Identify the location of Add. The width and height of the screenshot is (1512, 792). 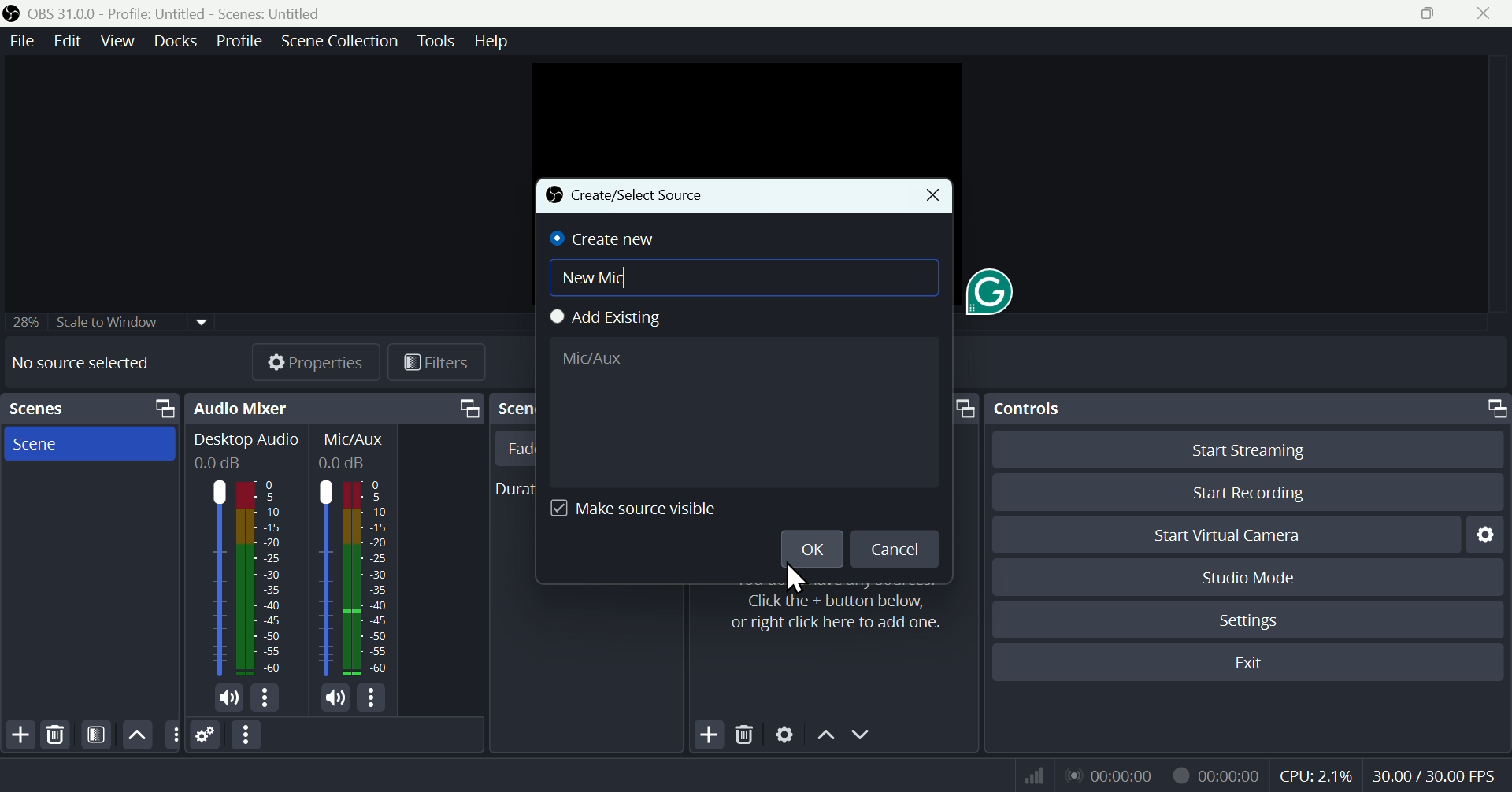
(19, 735).